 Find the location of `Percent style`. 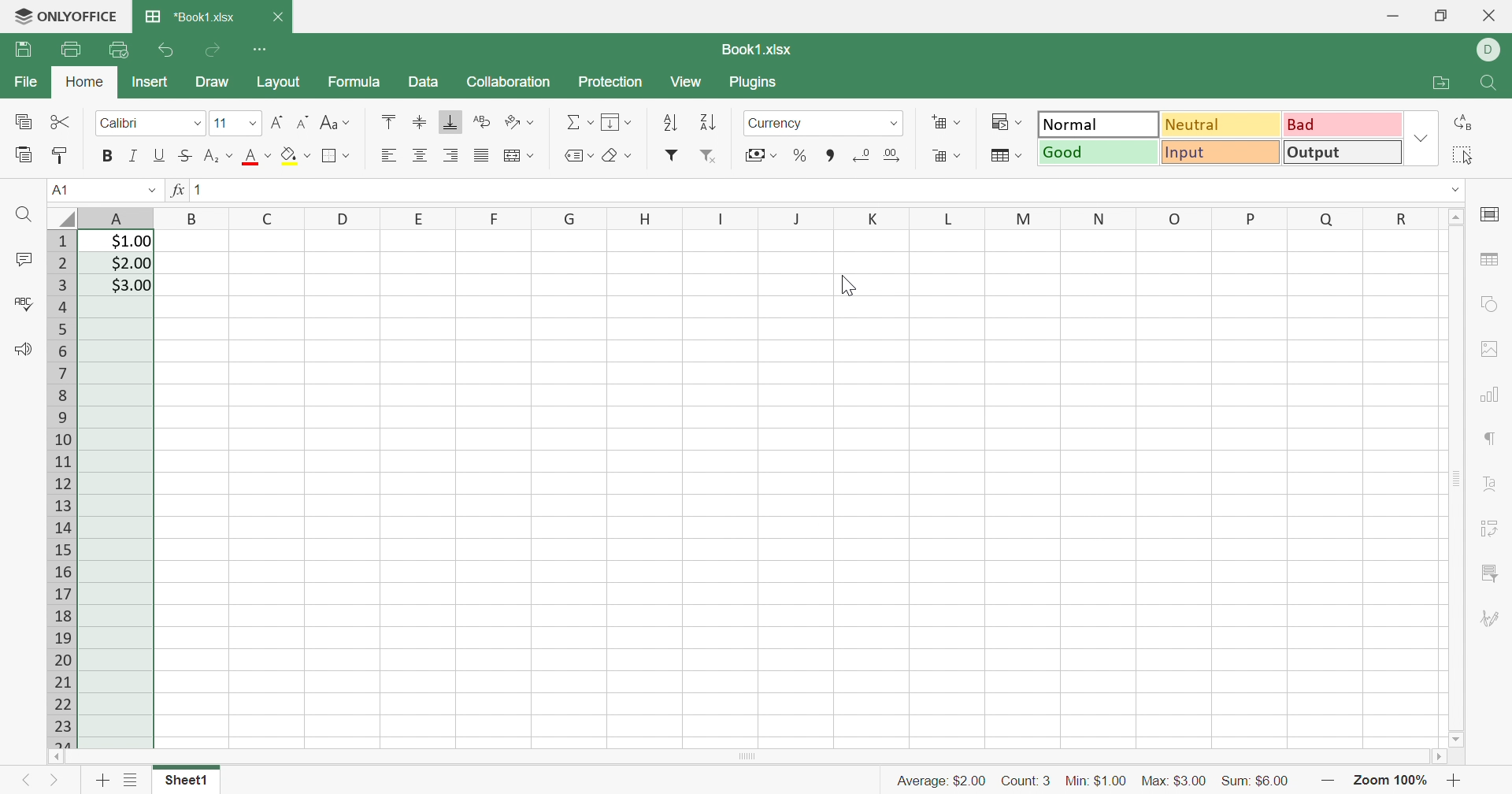

Percent style is located at coordinates (799, 156).